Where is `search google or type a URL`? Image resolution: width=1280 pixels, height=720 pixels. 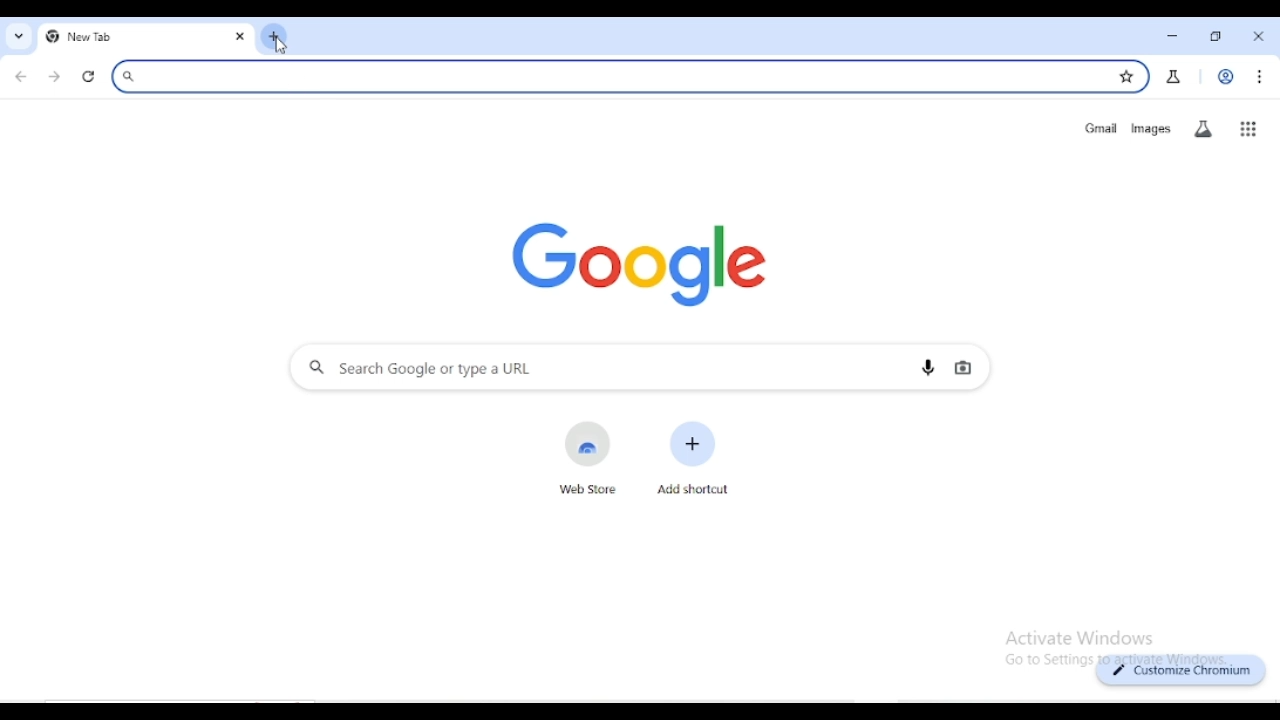
search google or type a URL is located at coordinates (592, 367).